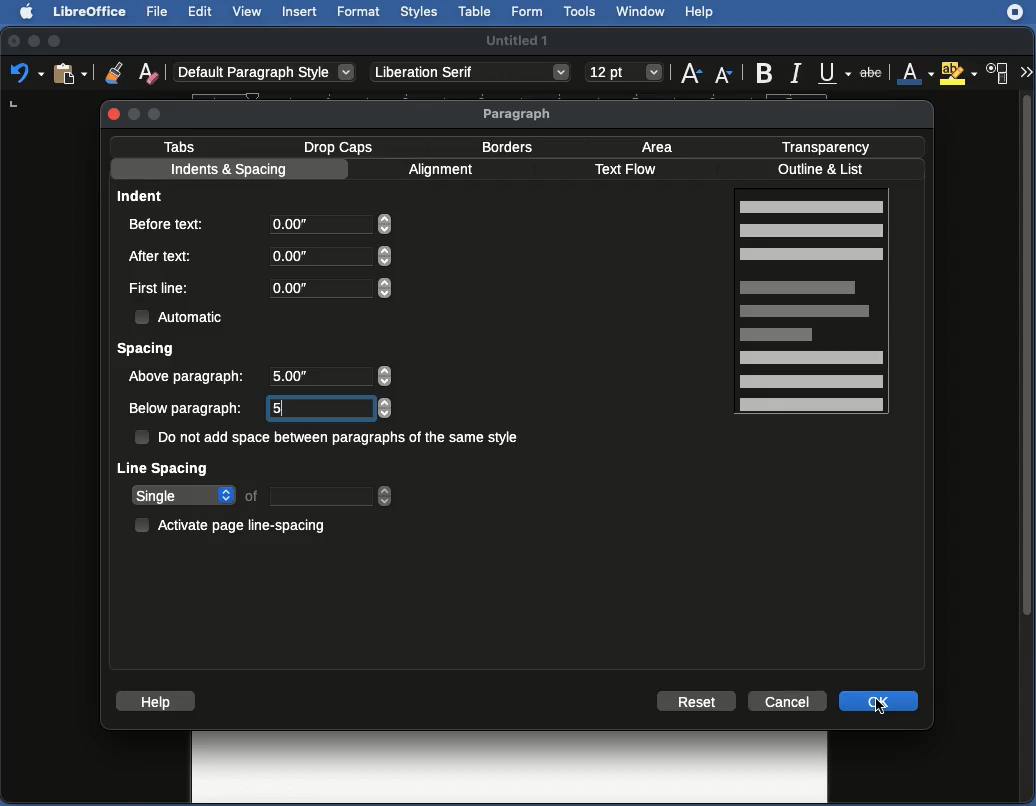 The image size is (1036, 806). What do you see at coordinates (444, 172) in the screenshot?
I see `Alignment` at bounding box center [444, 172].